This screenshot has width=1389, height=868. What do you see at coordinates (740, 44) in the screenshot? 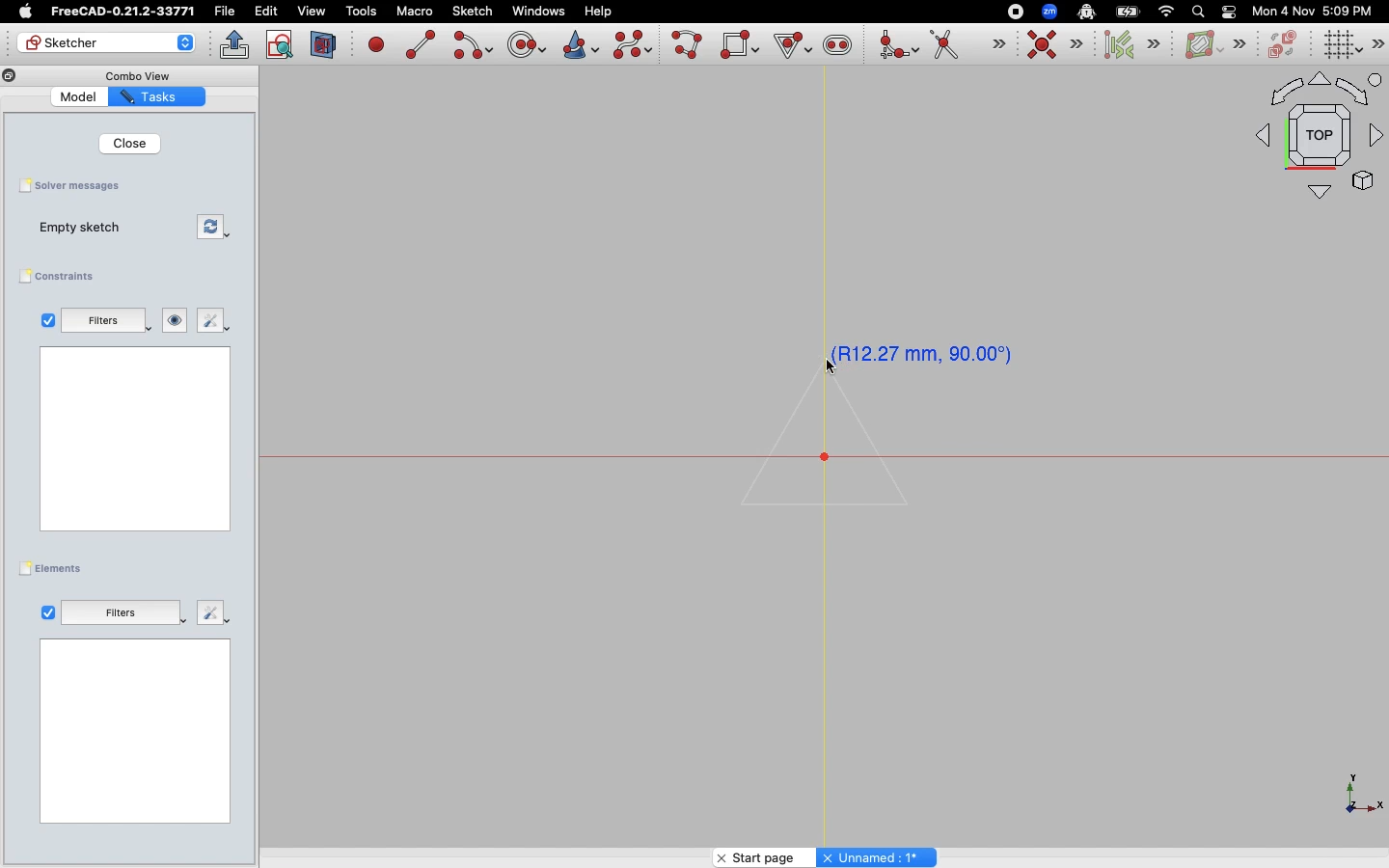
I see `Create rectangle` at bounding box center [740, 44].